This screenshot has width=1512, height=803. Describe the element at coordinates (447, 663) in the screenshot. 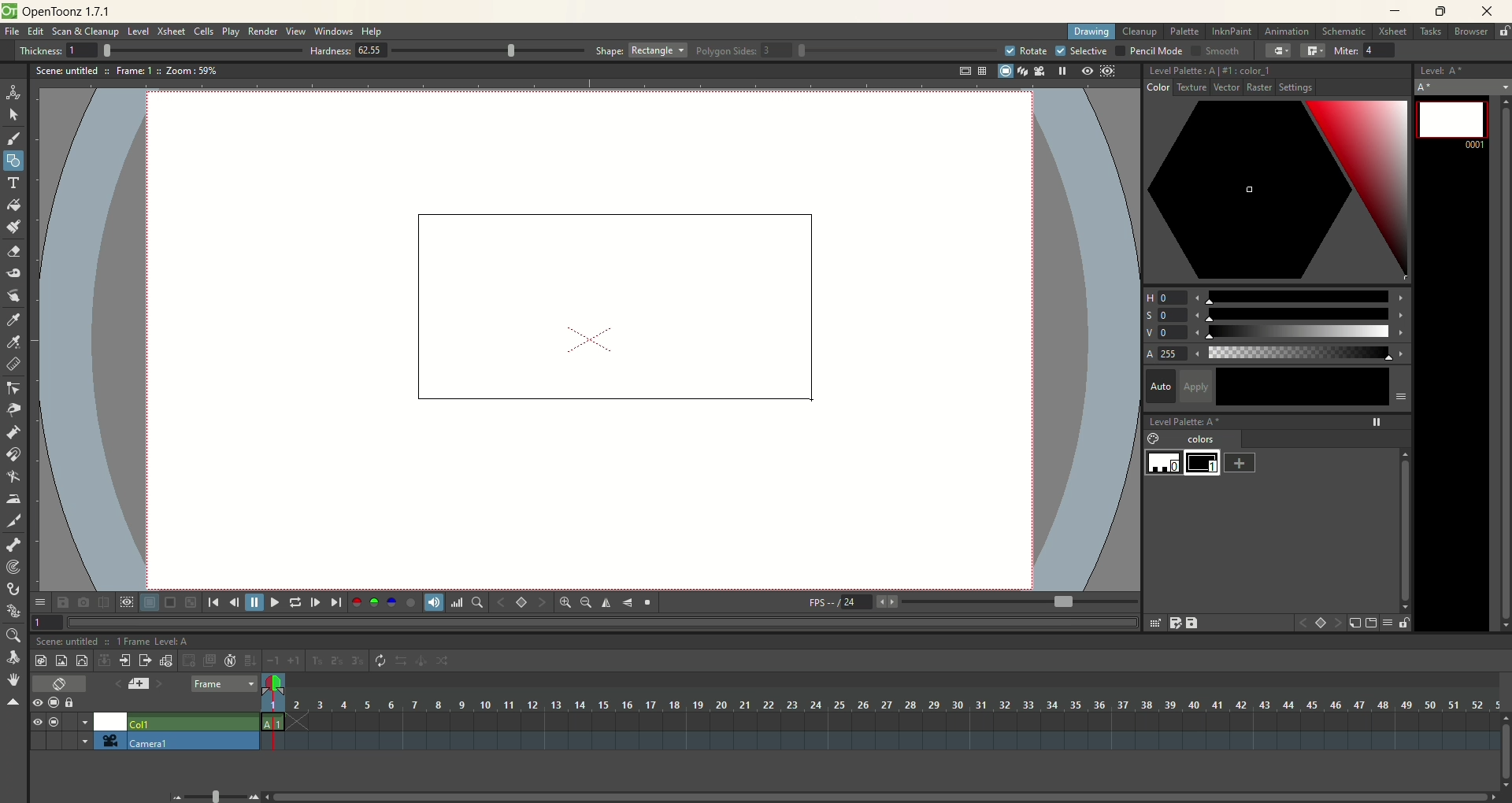

I see `random` at that location.